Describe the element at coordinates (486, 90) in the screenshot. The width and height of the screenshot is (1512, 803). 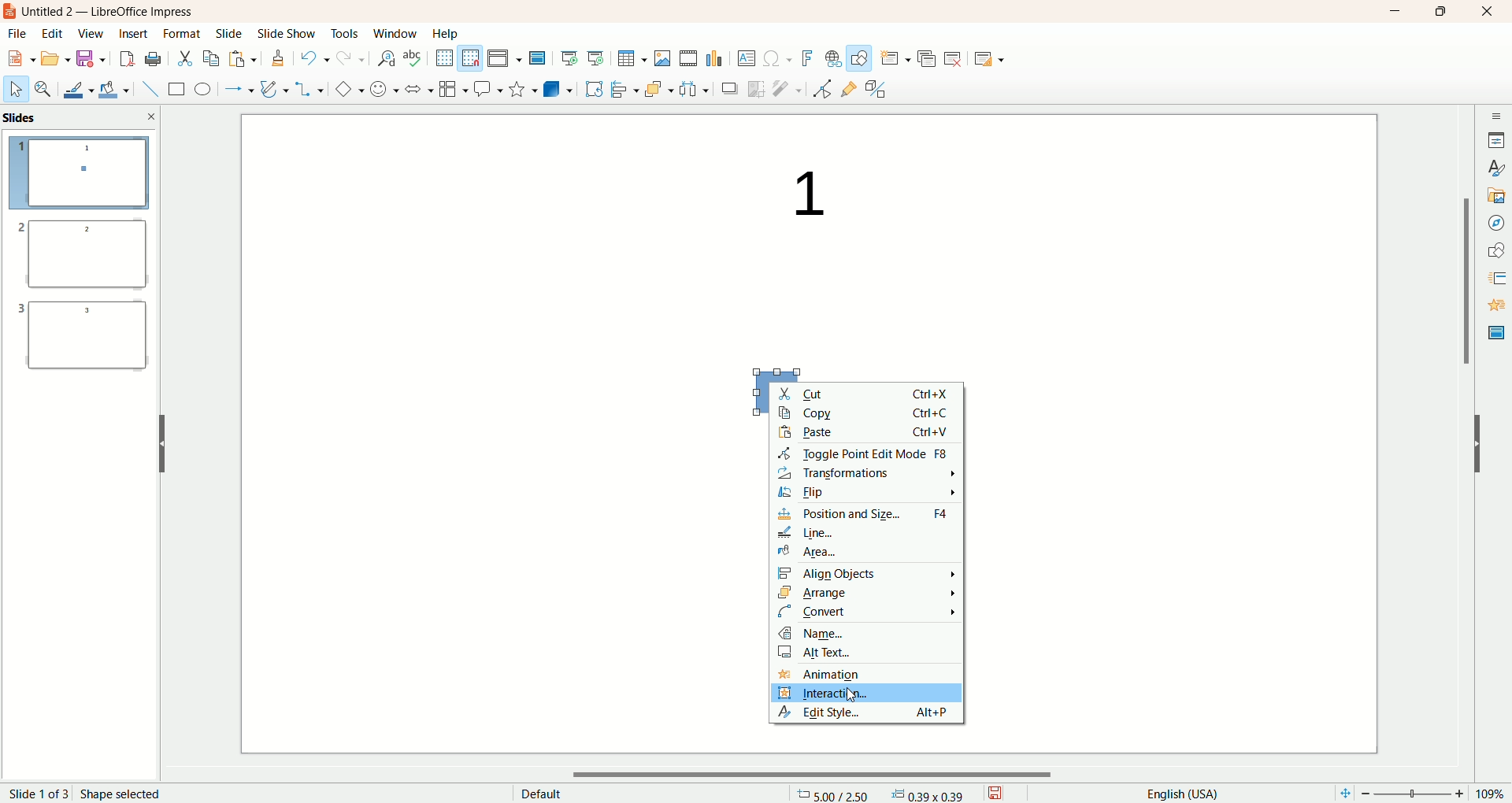
I see `callout shapes` at that location.